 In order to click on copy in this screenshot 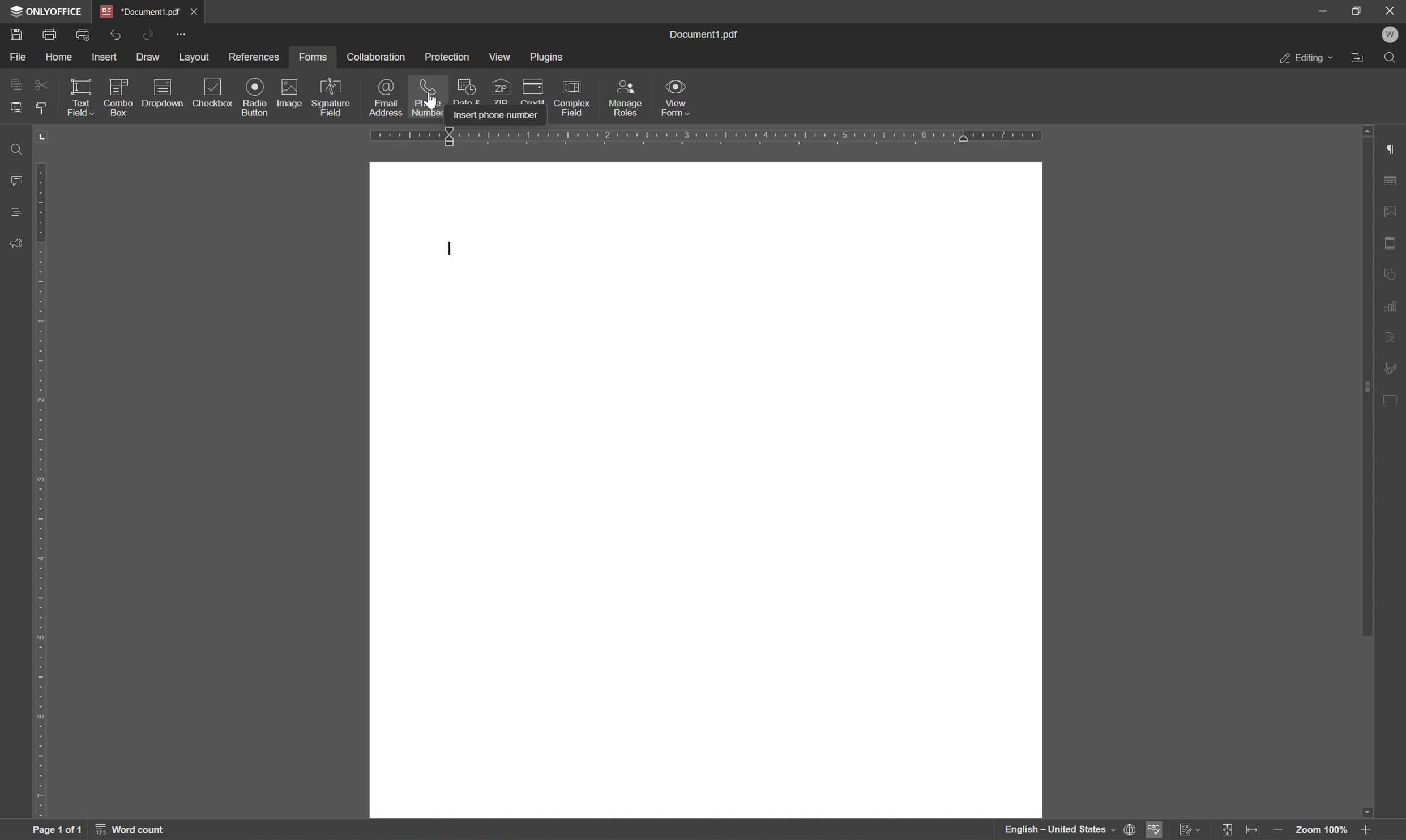, I will do `click(11, 84)`.